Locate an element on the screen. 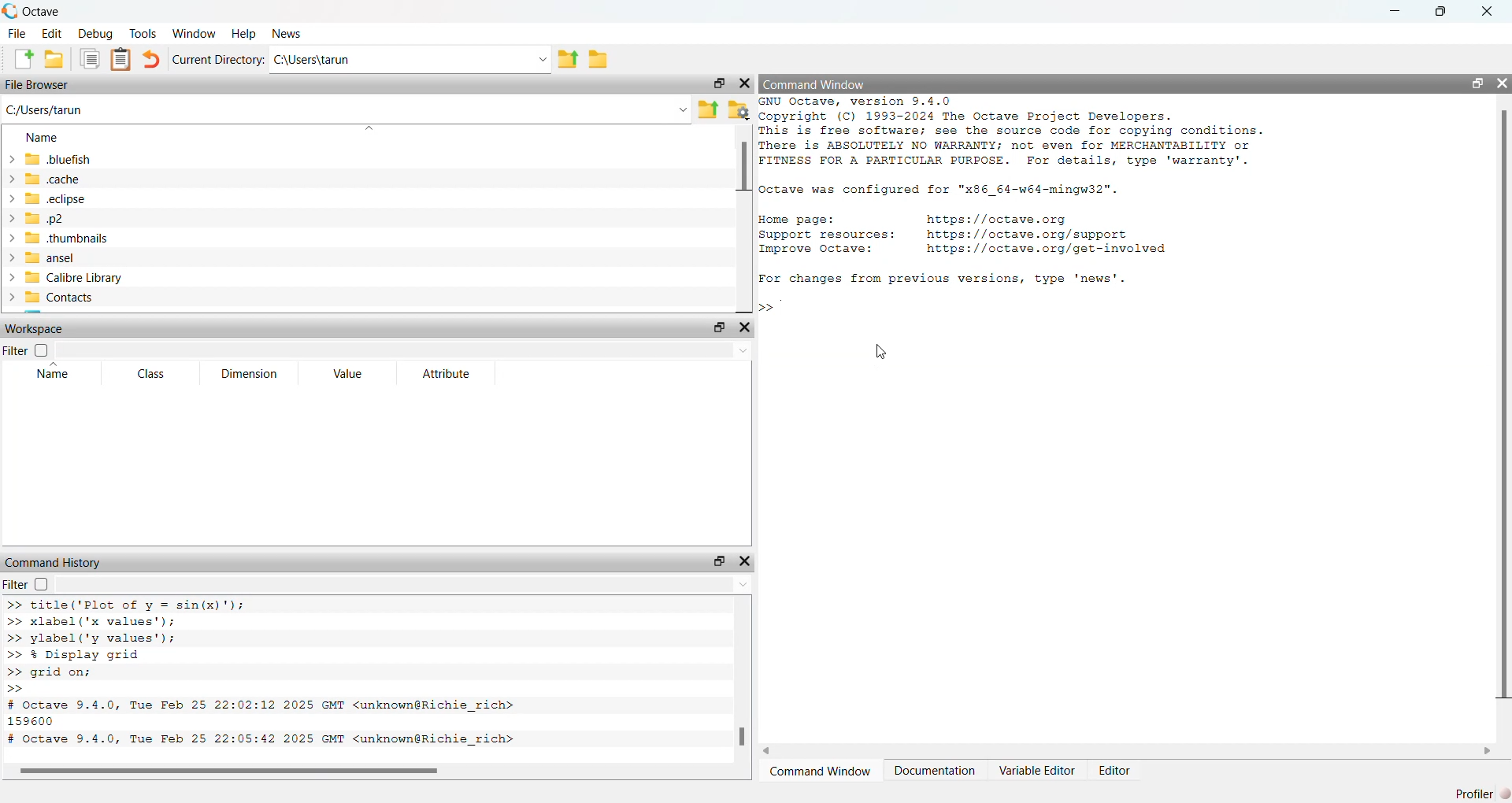  >> ylabel ('y values'); is located at coordinates (106, 639).